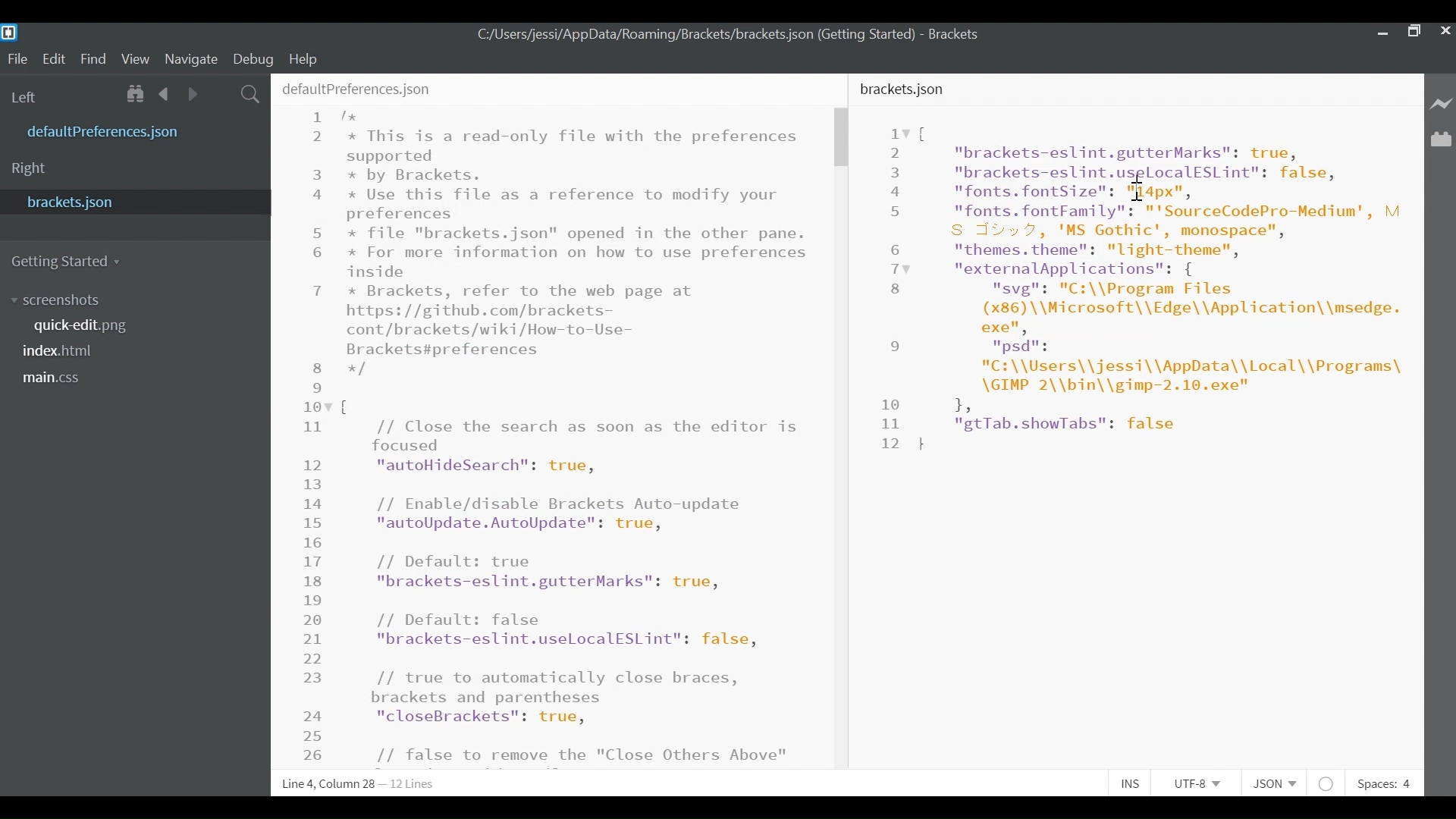 Image resolution: width=1456 pixels, height=819 pixels. What do you see at coordinates (729, 37) in the screenshot?
I see `C:/Users/jessi/AppData/Roaming/Brackets/brackets.json (Getting Started) - Brackets` at bounding box center [729, 37].